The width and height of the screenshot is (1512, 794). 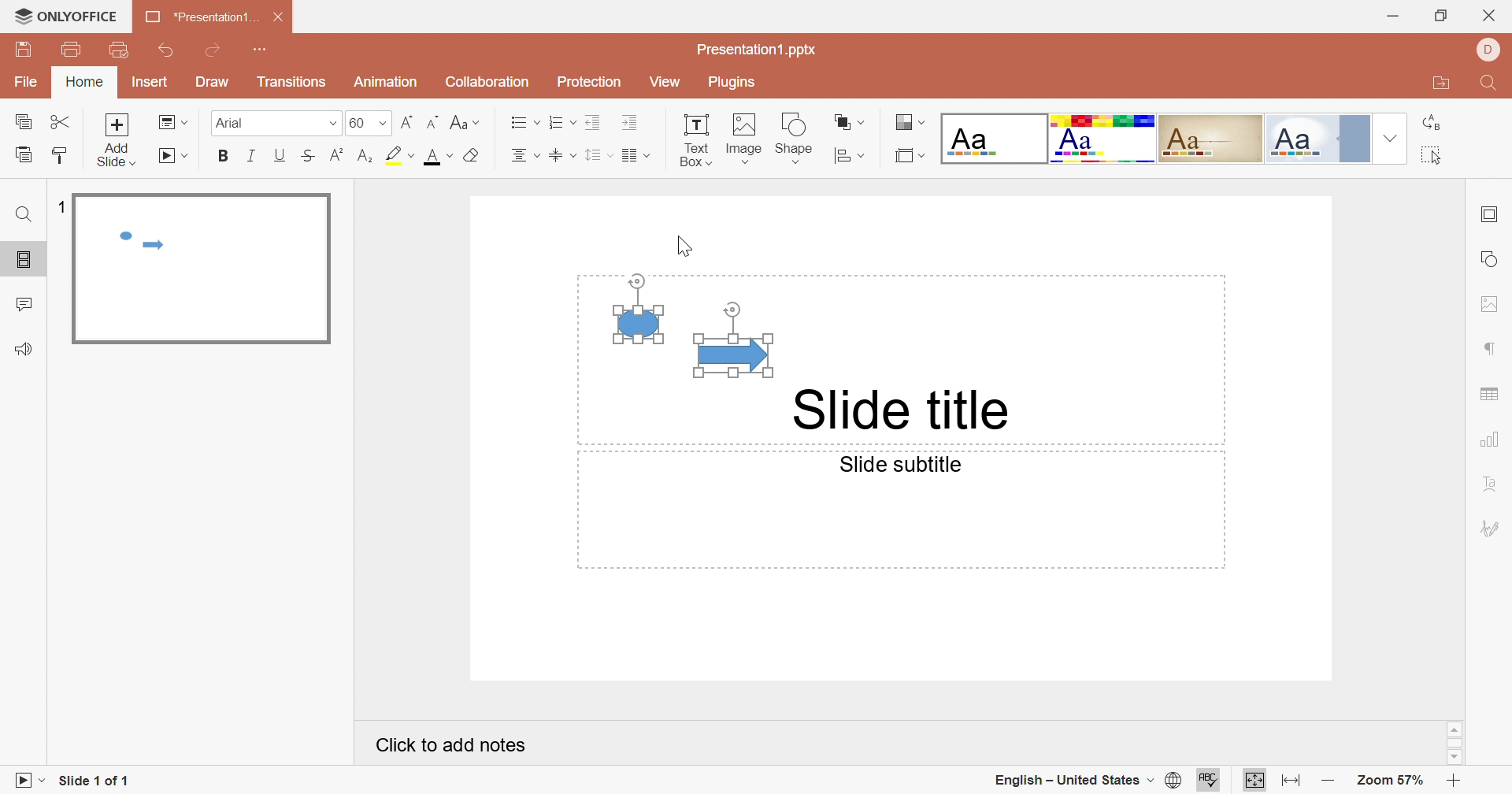 I want to click on Center Text, so click(x=525, y=157).